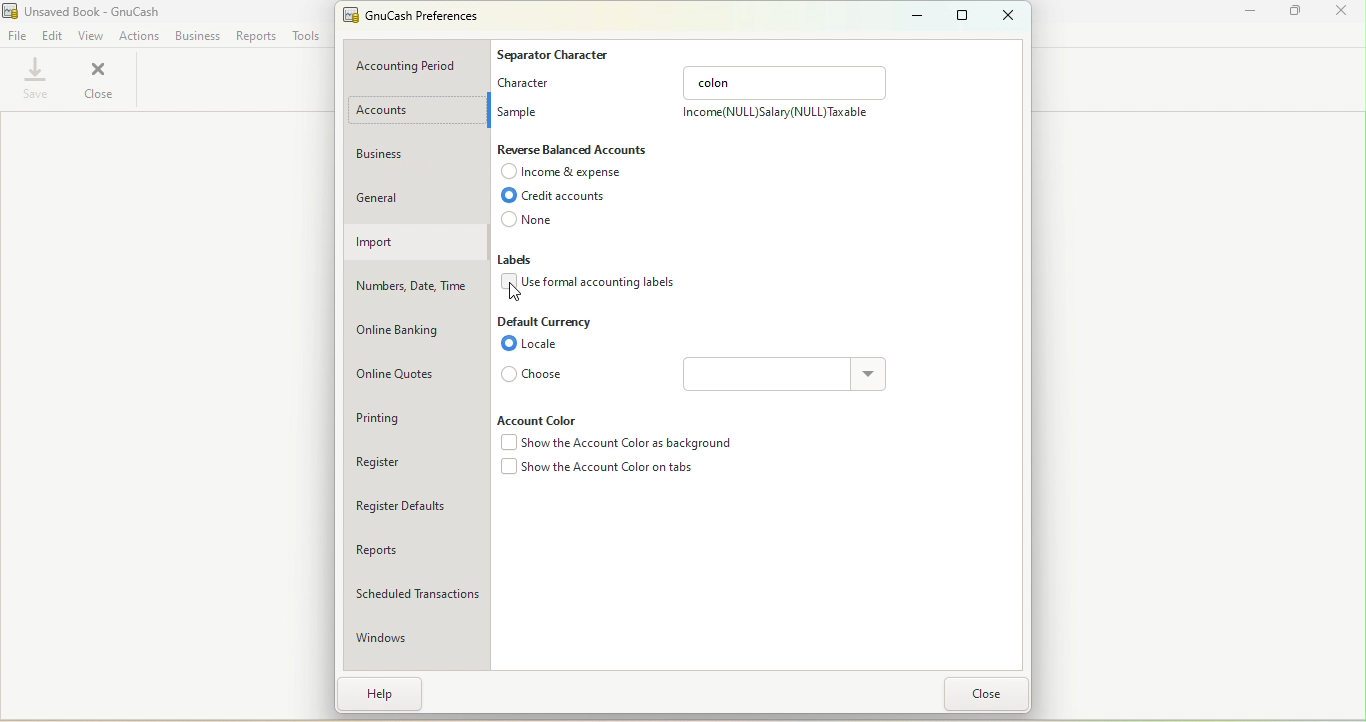 The width and height of the screenshot is (1366, 722). What do you see at coordinates (415, 546) in the screenshot?
I see `Reports` at bounding box center [415, 546].